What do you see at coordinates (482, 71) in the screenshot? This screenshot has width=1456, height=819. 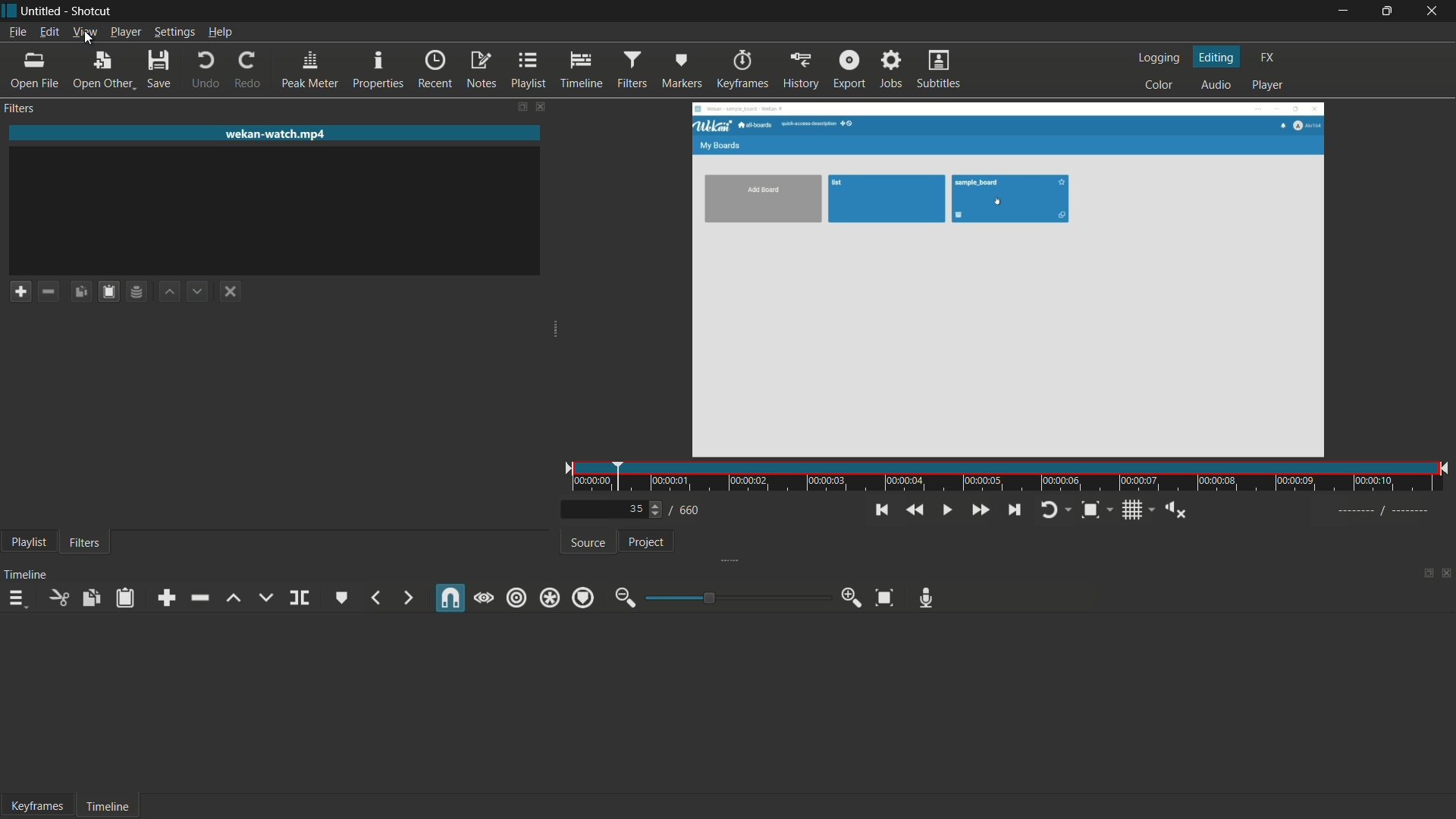 I see `notes` at bounding box center [482, 71].